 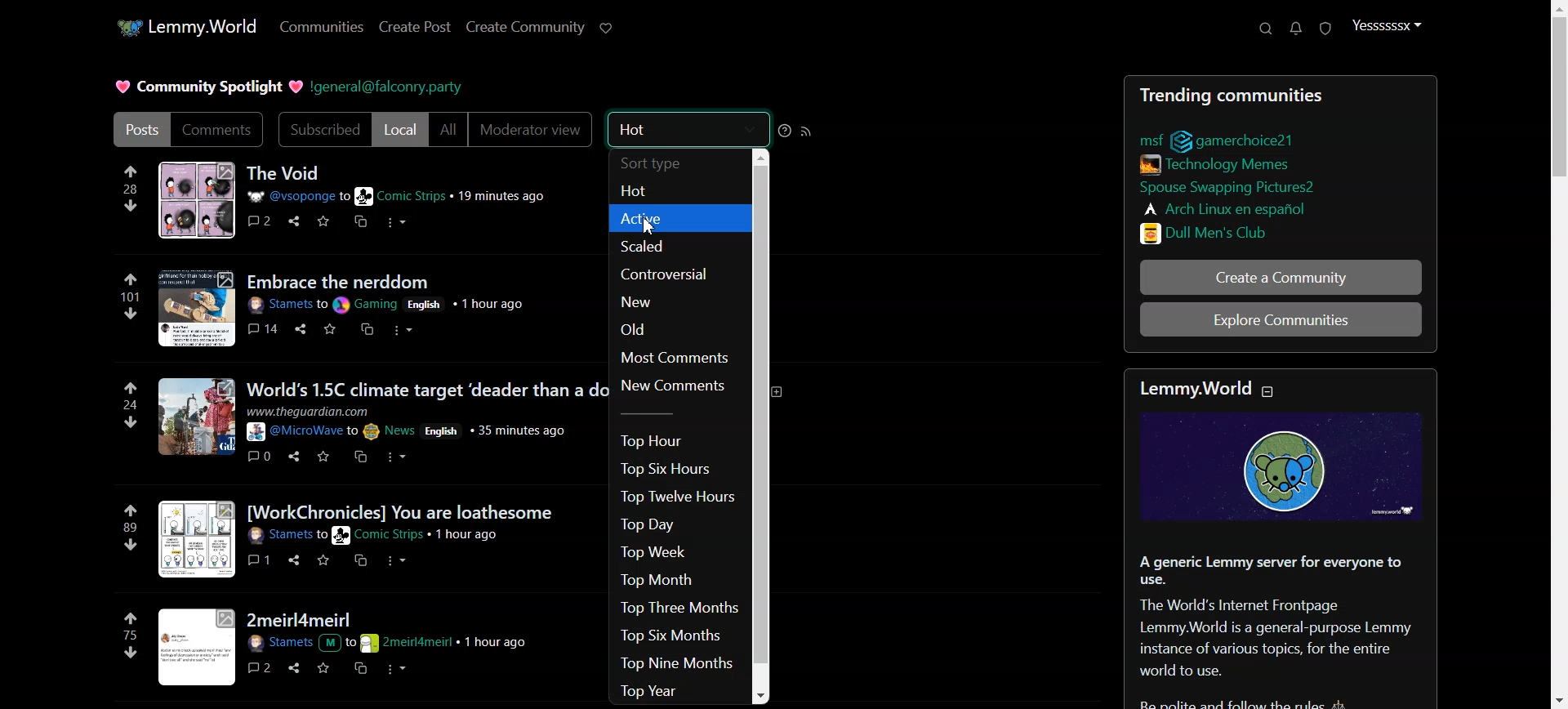 What do you see at coordinates (389, 643) in the screenshot?
I see `post details` at bounding box center [389, 643].